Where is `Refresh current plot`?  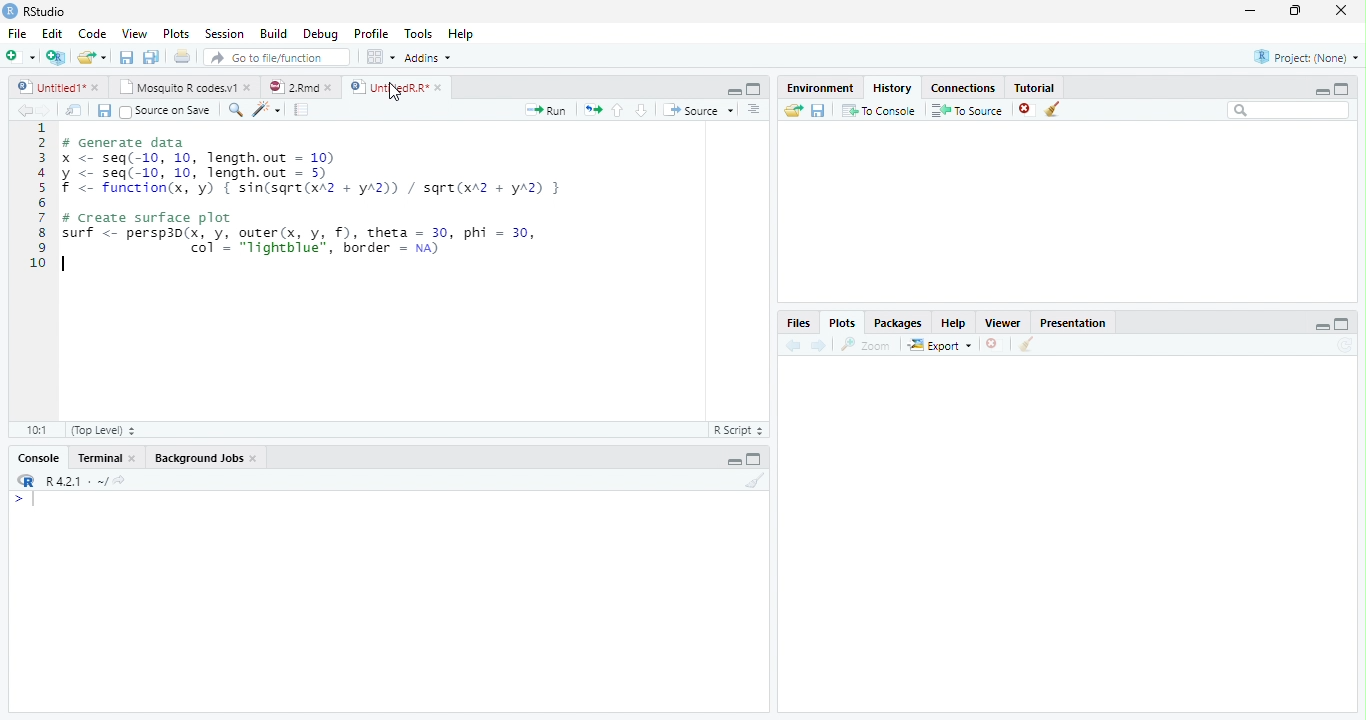
Refresh current plot is located at coordinates (1347, 345).